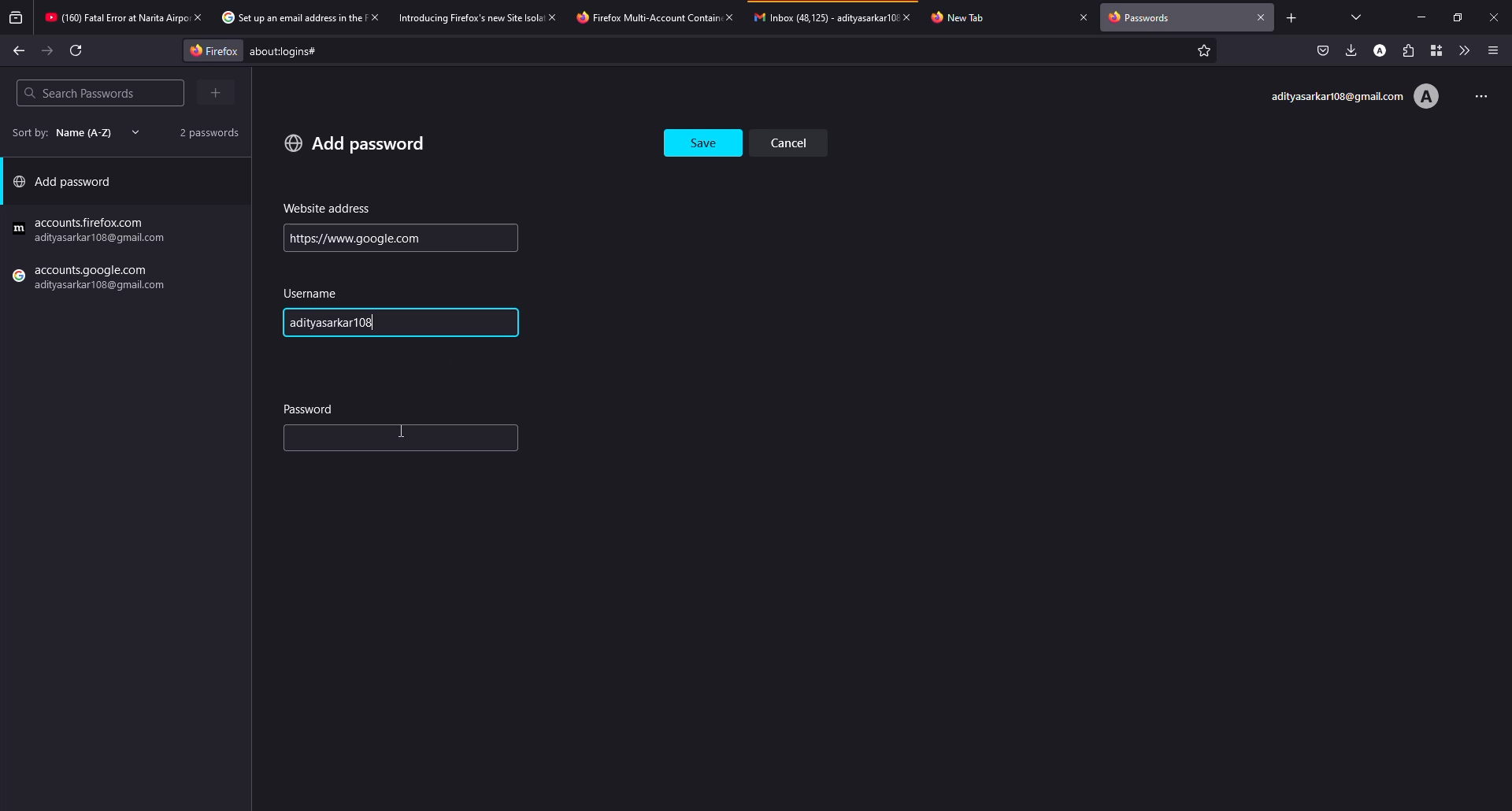  Describe the element at coordinates (77, 50) in the screenshot. I see `refresh` at that location.